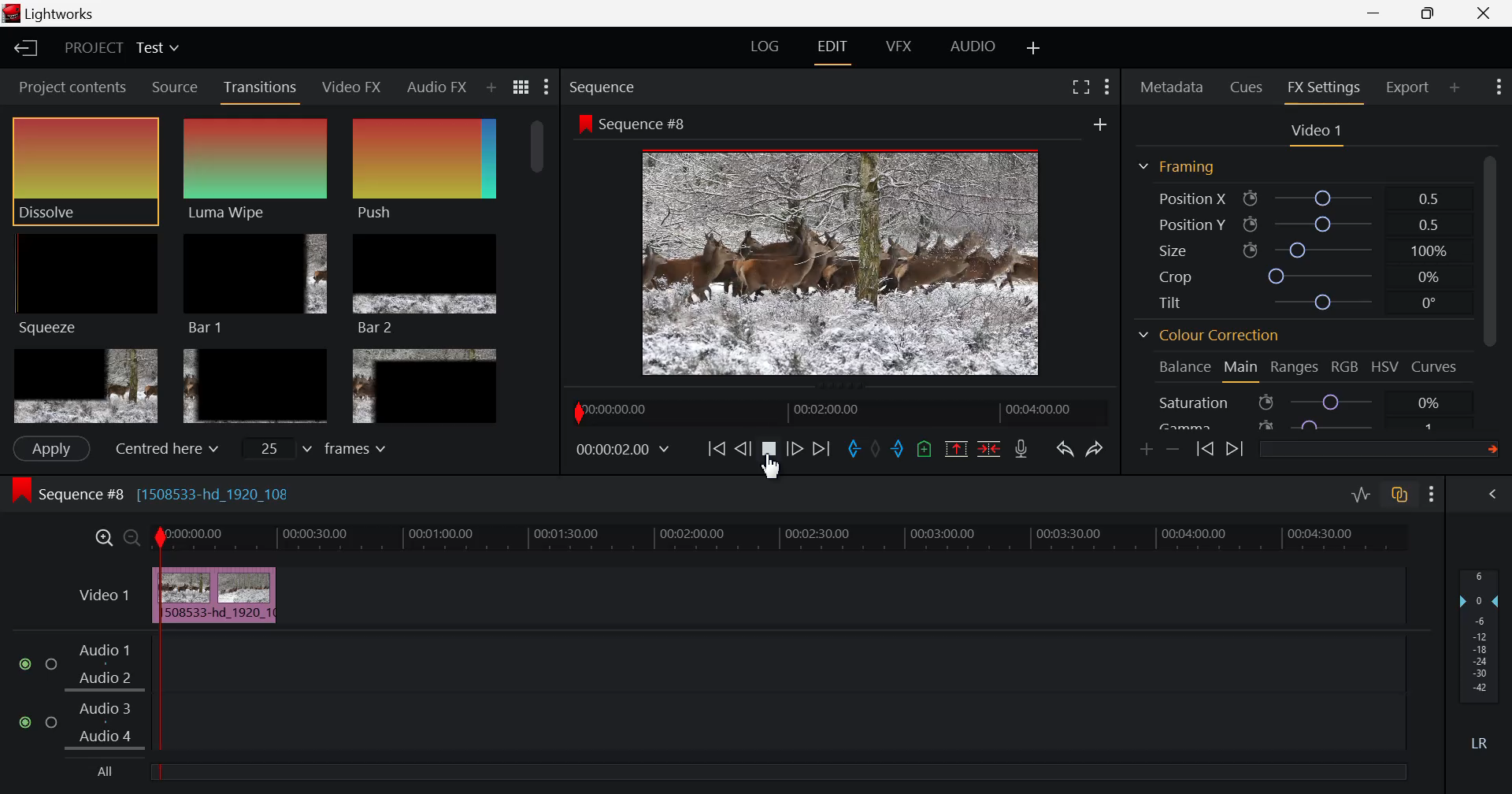 This screenshot has width=1512, height=794. I want to click on Box 6, so click(424, 386).